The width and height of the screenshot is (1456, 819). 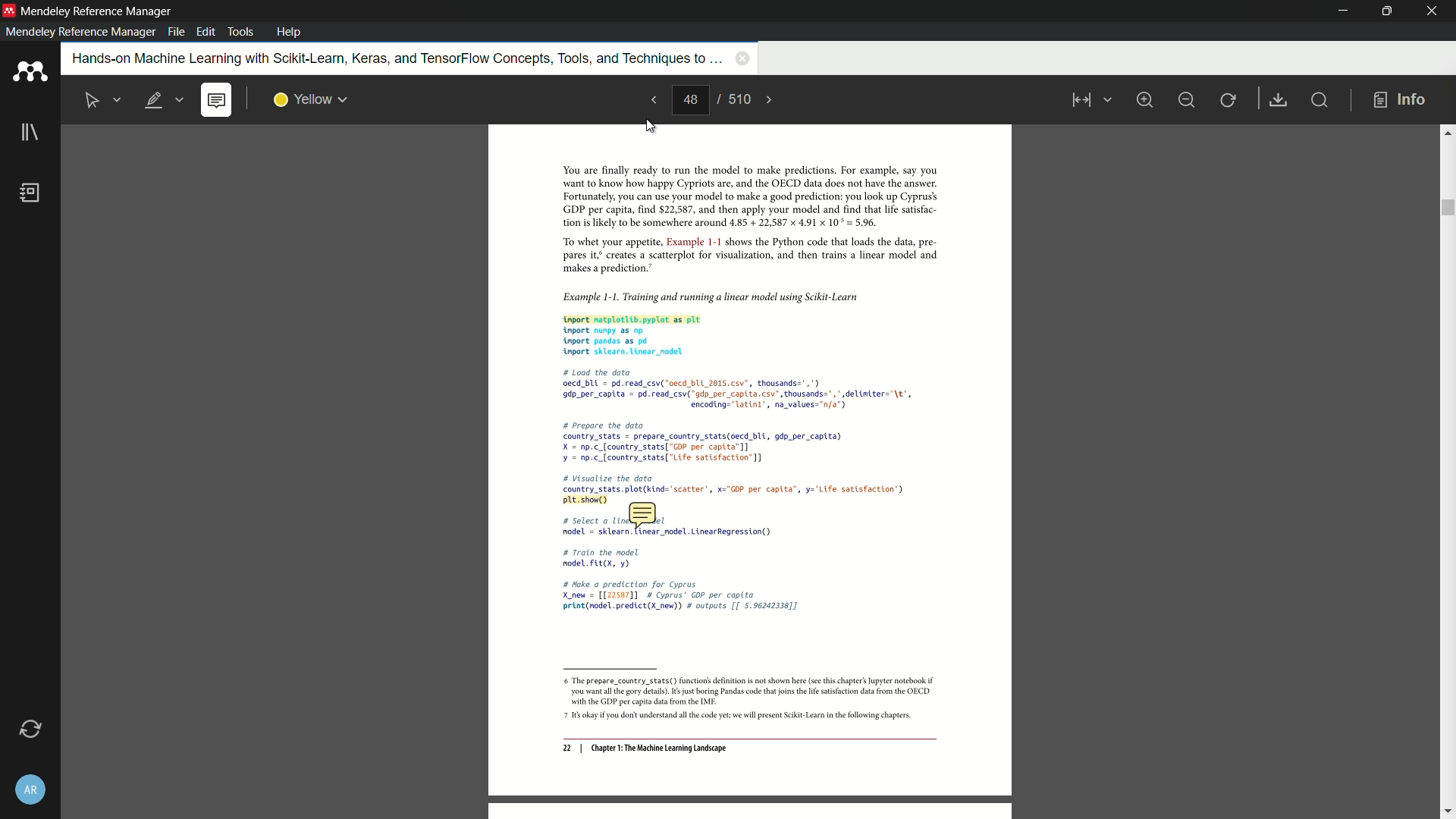 I want to click on save, so click(x=1279, y=101).